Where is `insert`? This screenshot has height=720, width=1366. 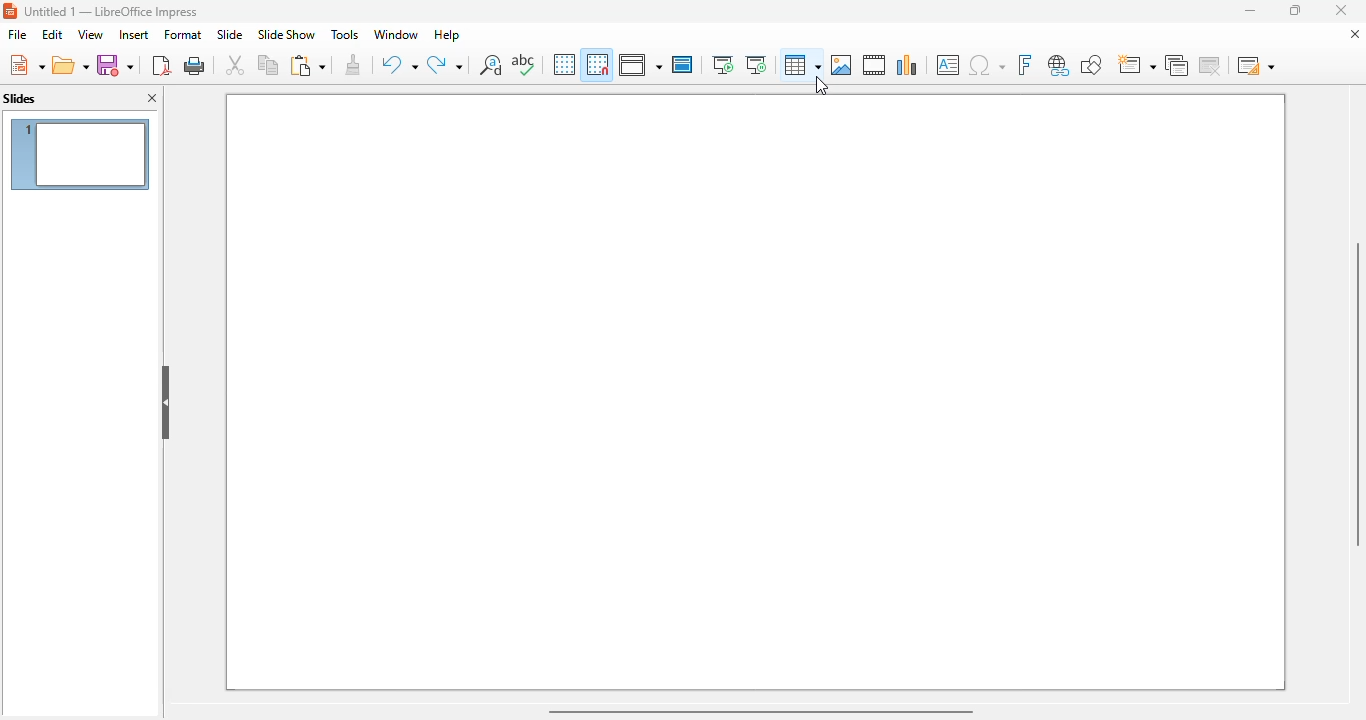
insert is located at coordinates (135, 35).